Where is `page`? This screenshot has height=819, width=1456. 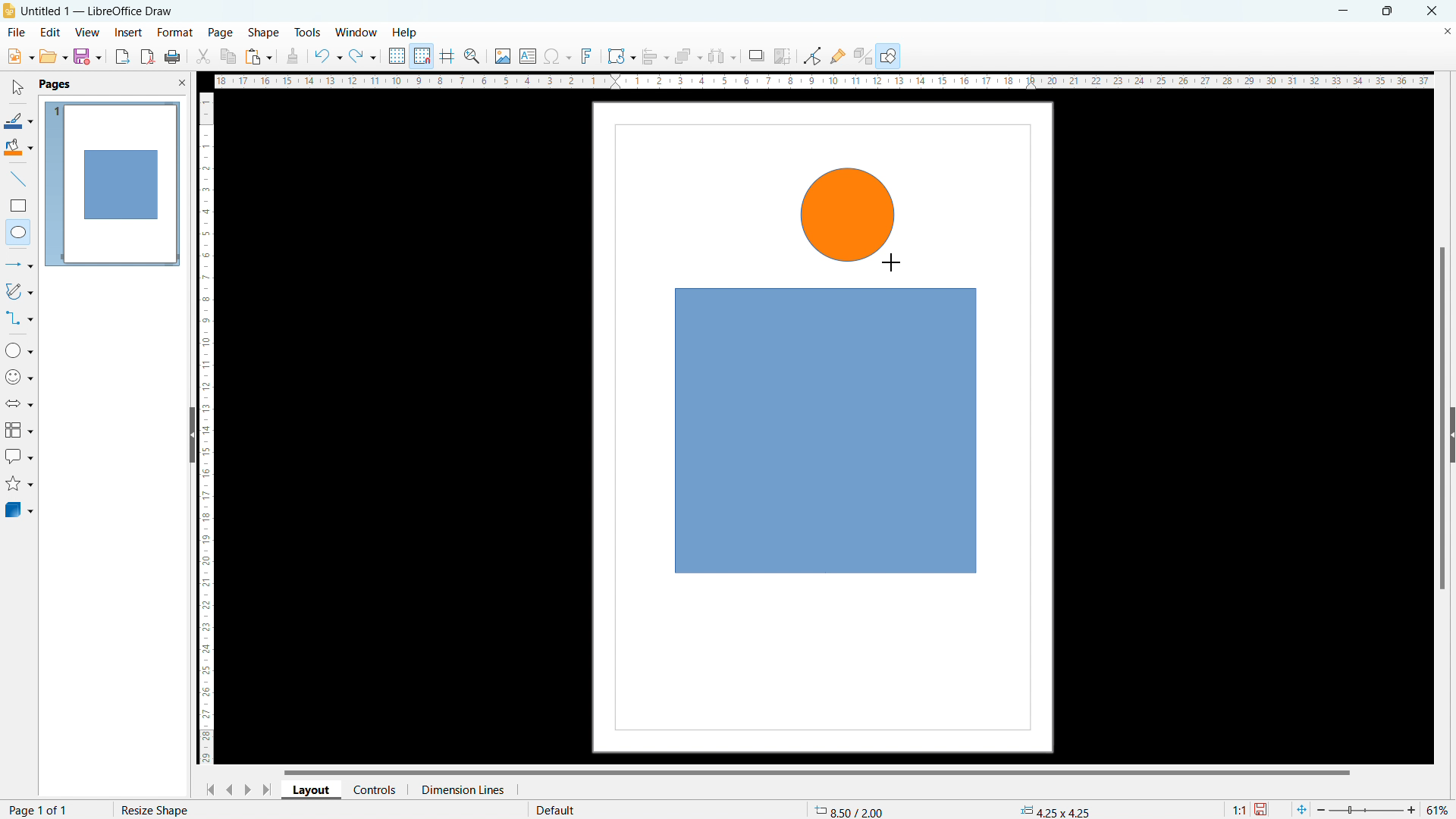 page is located at coordinates (221, 32).